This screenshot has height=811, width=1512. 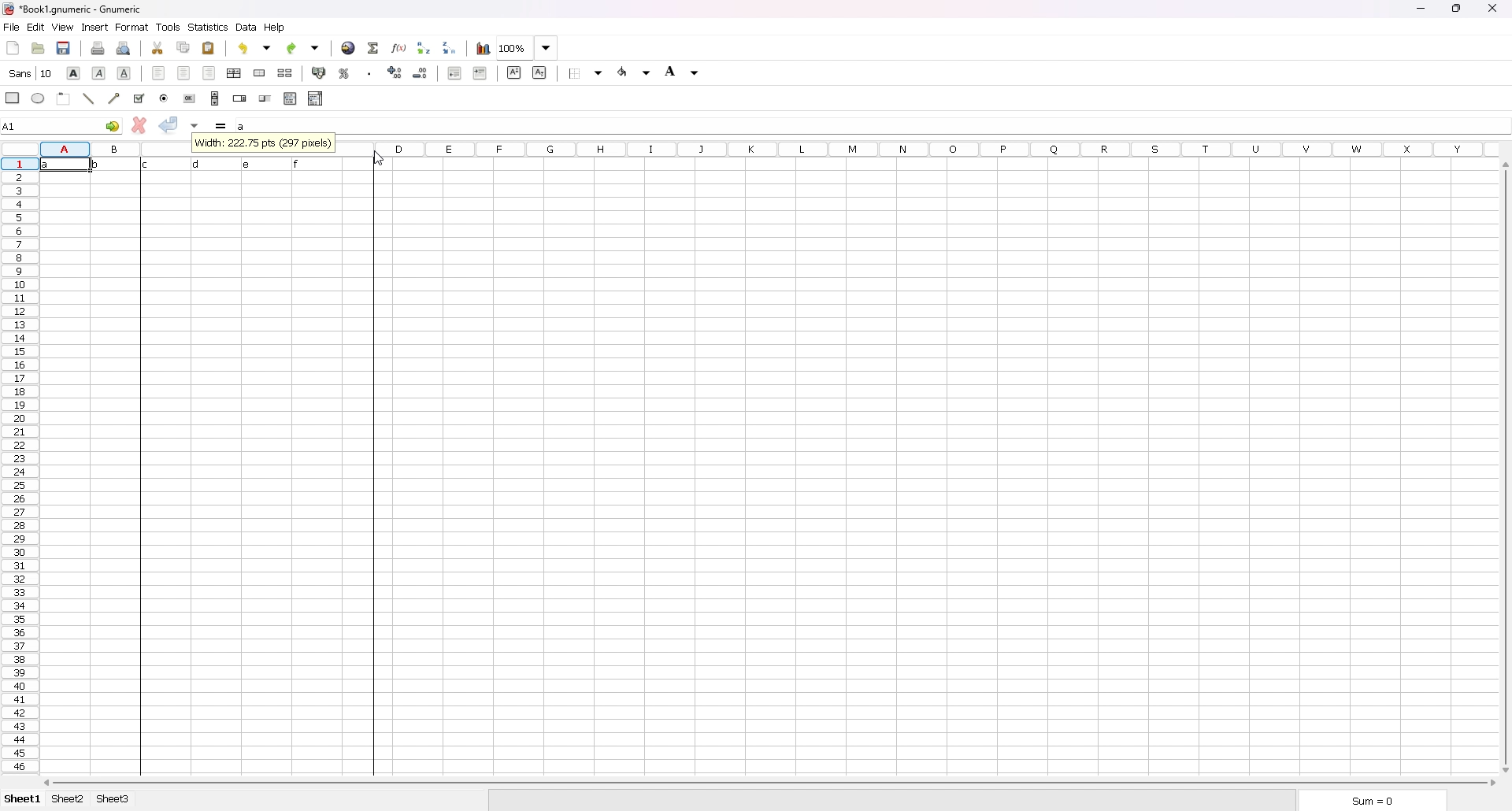 What do you see at coordinates (344, 72) in the screenshot?
I see `percentage` at bounding box center [344, 72].